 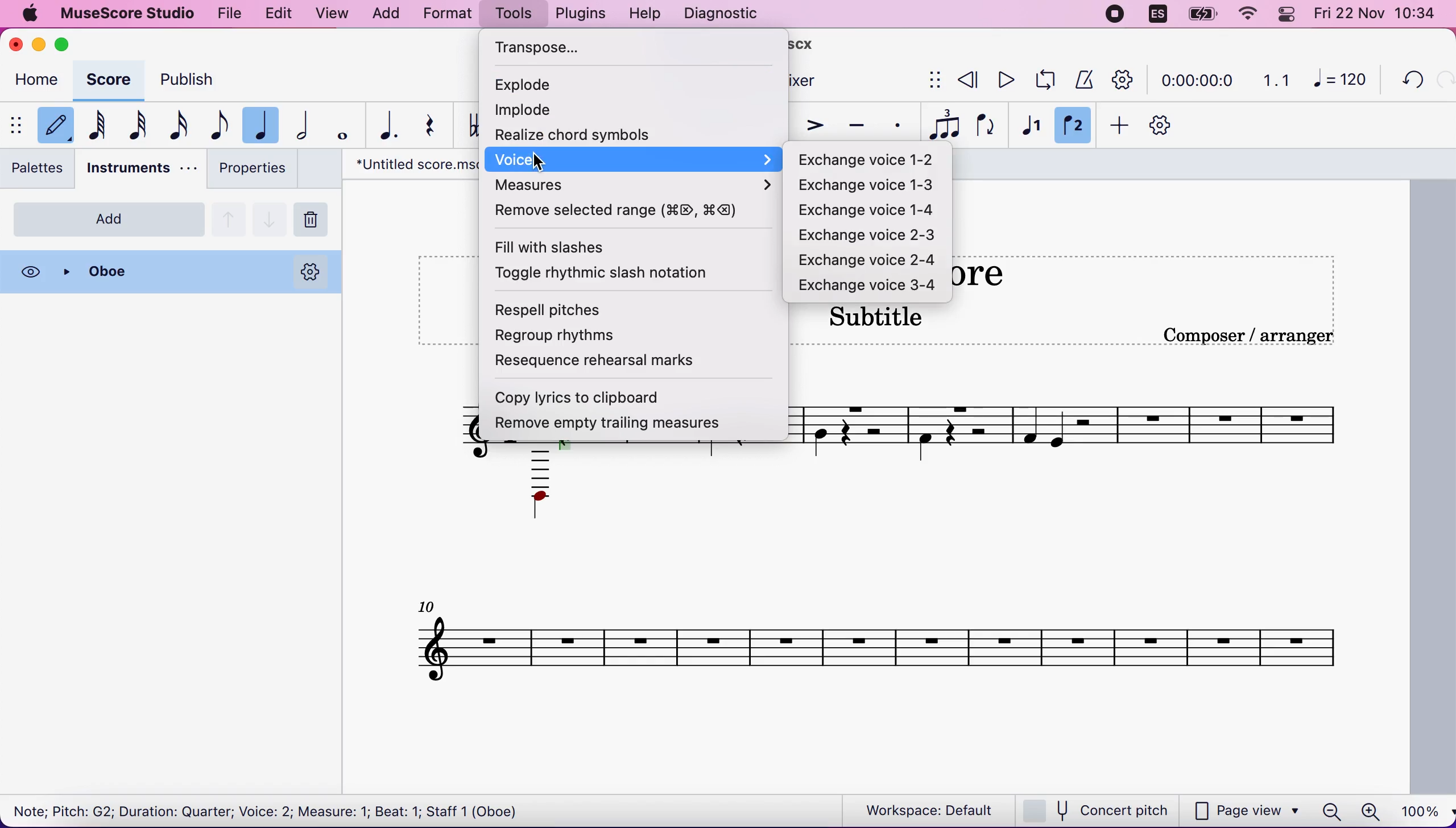 What do you see at coordinates (582, 14) in the screenshot?
I see `plugins` at bounding box center [582, 14].